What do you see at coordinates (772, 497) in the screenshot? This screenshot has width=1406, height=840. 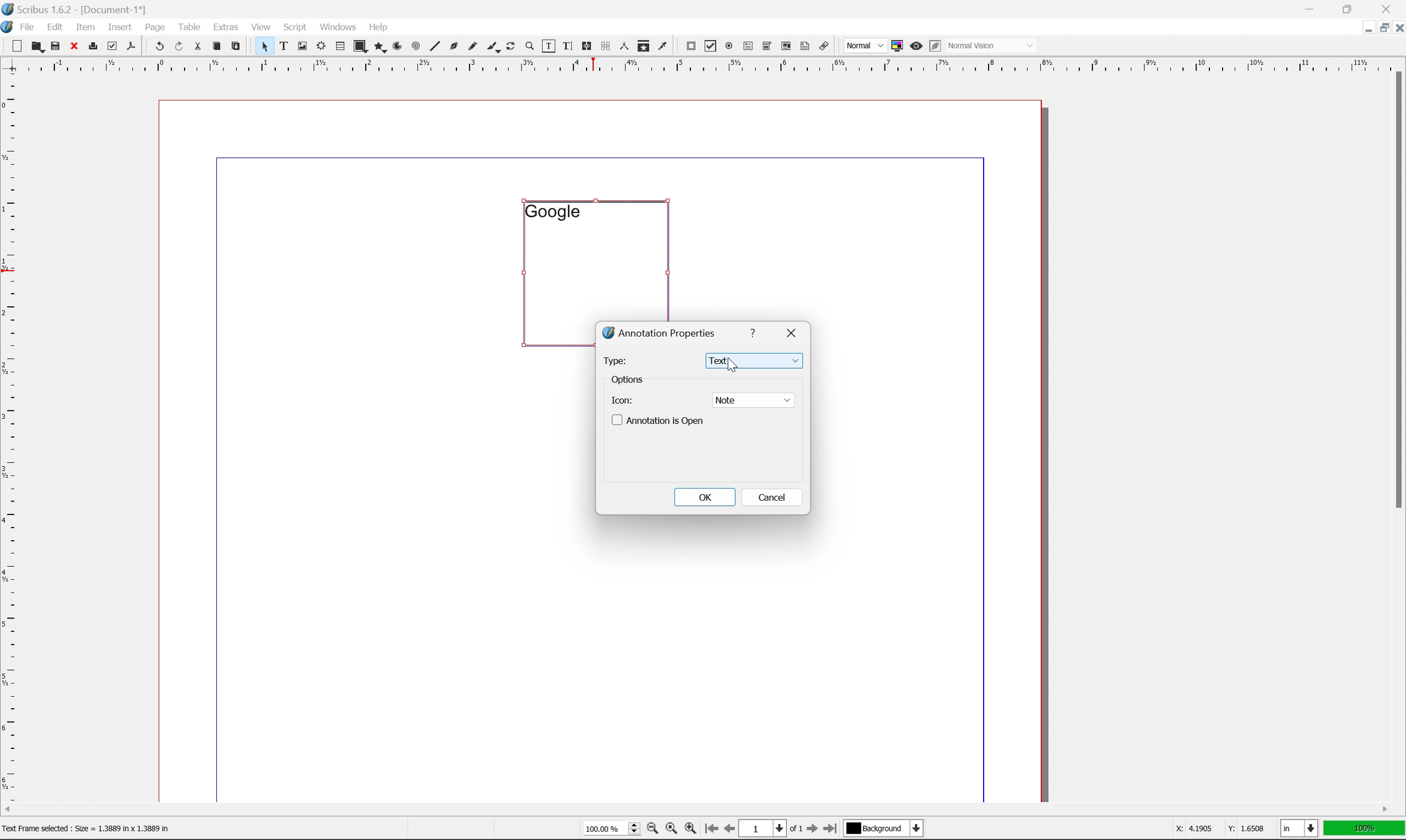 I see `cancel` at bounding box center [772, 497].